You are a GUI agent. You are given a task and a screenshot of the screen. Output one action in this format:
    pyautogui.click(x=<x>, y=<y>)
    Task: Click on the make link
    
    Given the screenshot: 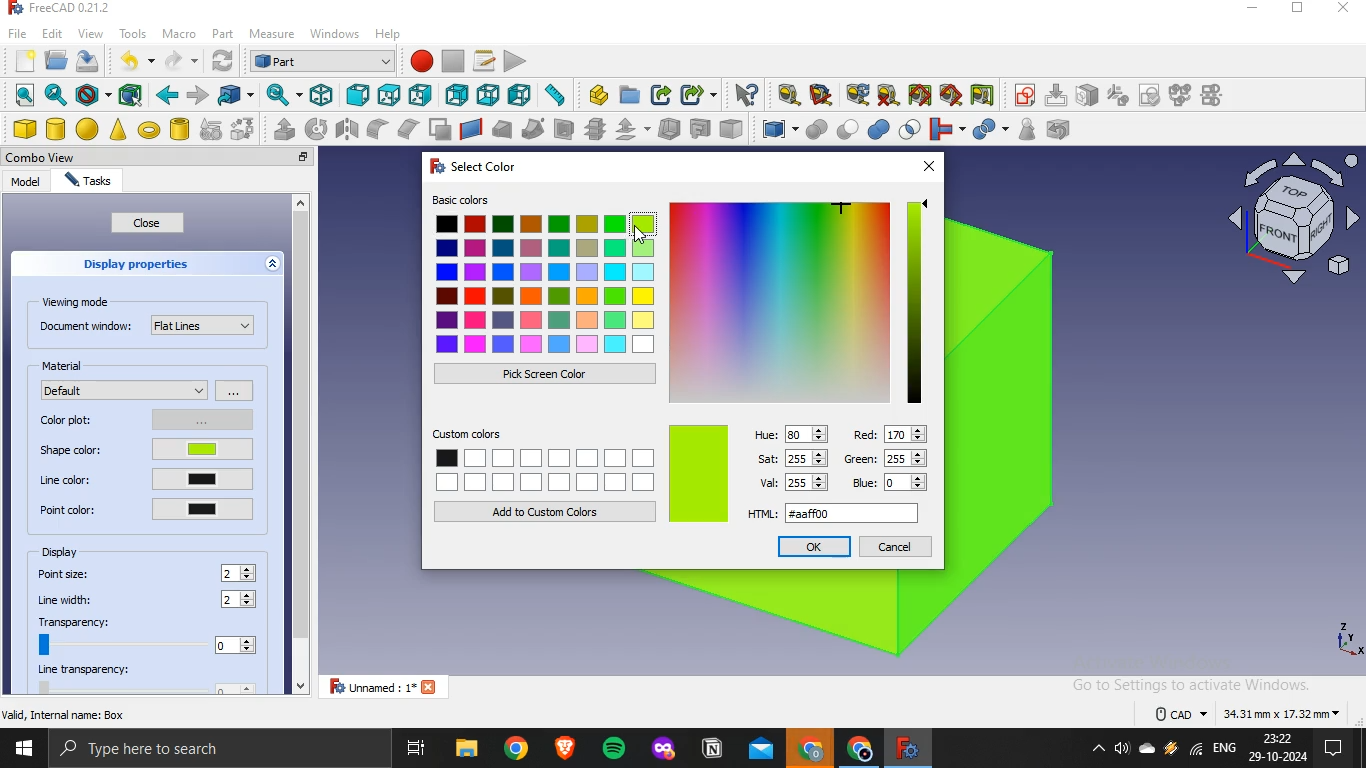 What is the action you would take?
    pyautogui.click(x=662, y=95)
    